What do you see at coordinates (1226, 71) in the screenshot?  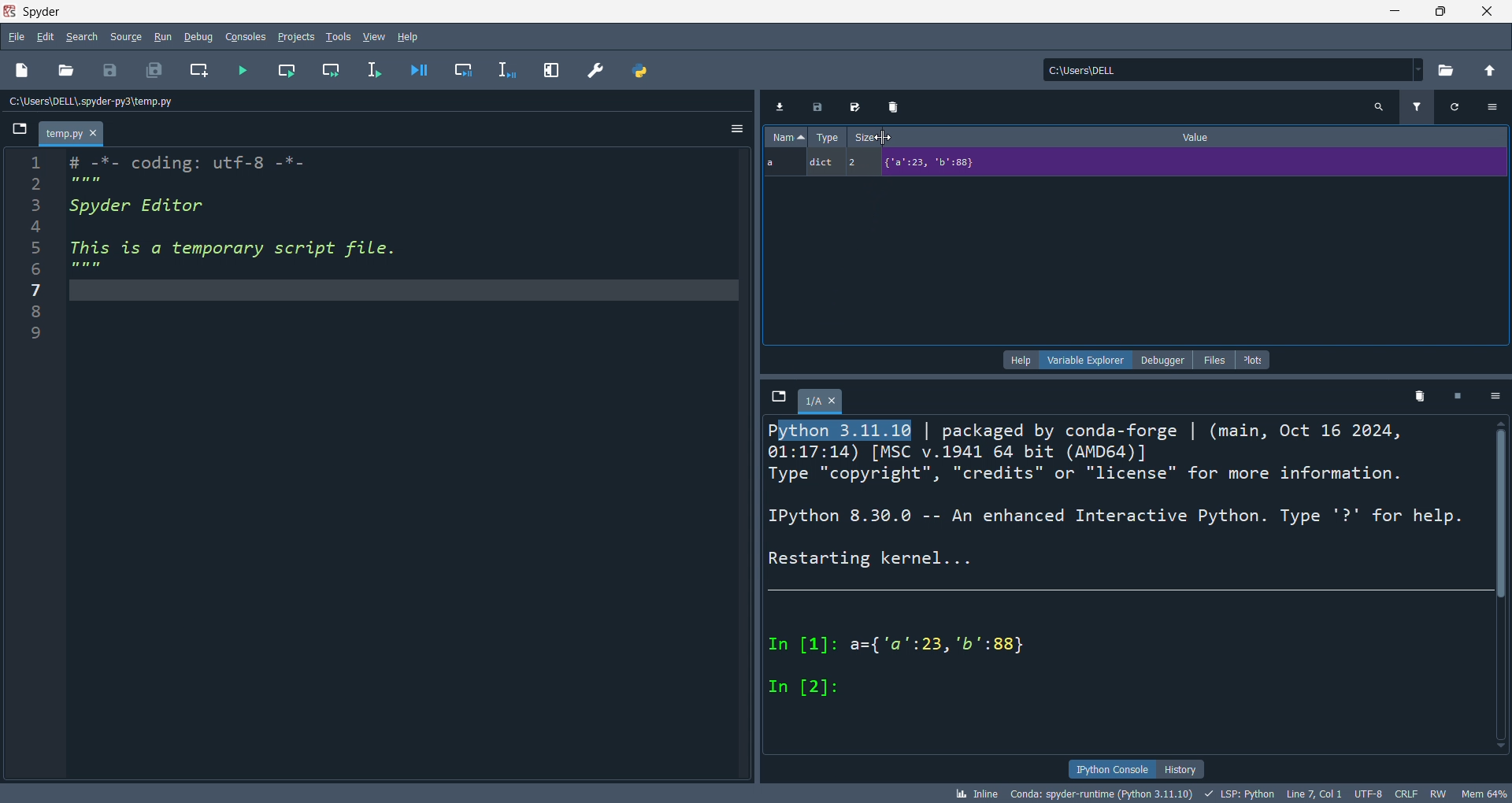 I see `current directory` at bounding box center [1226, 71].